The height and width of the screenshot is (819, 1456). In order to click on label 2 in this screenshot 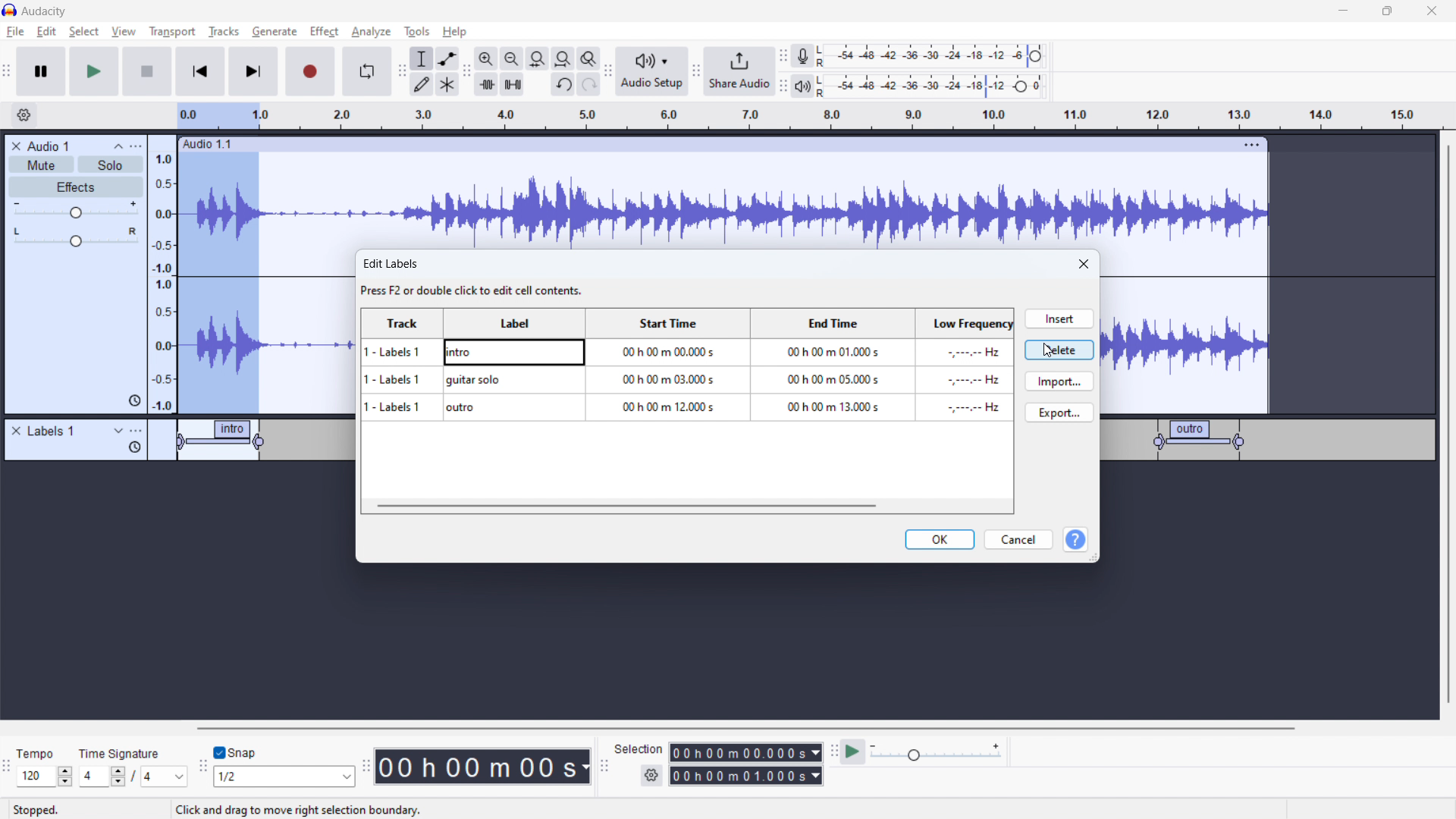, I will do `click(497, 441)`.